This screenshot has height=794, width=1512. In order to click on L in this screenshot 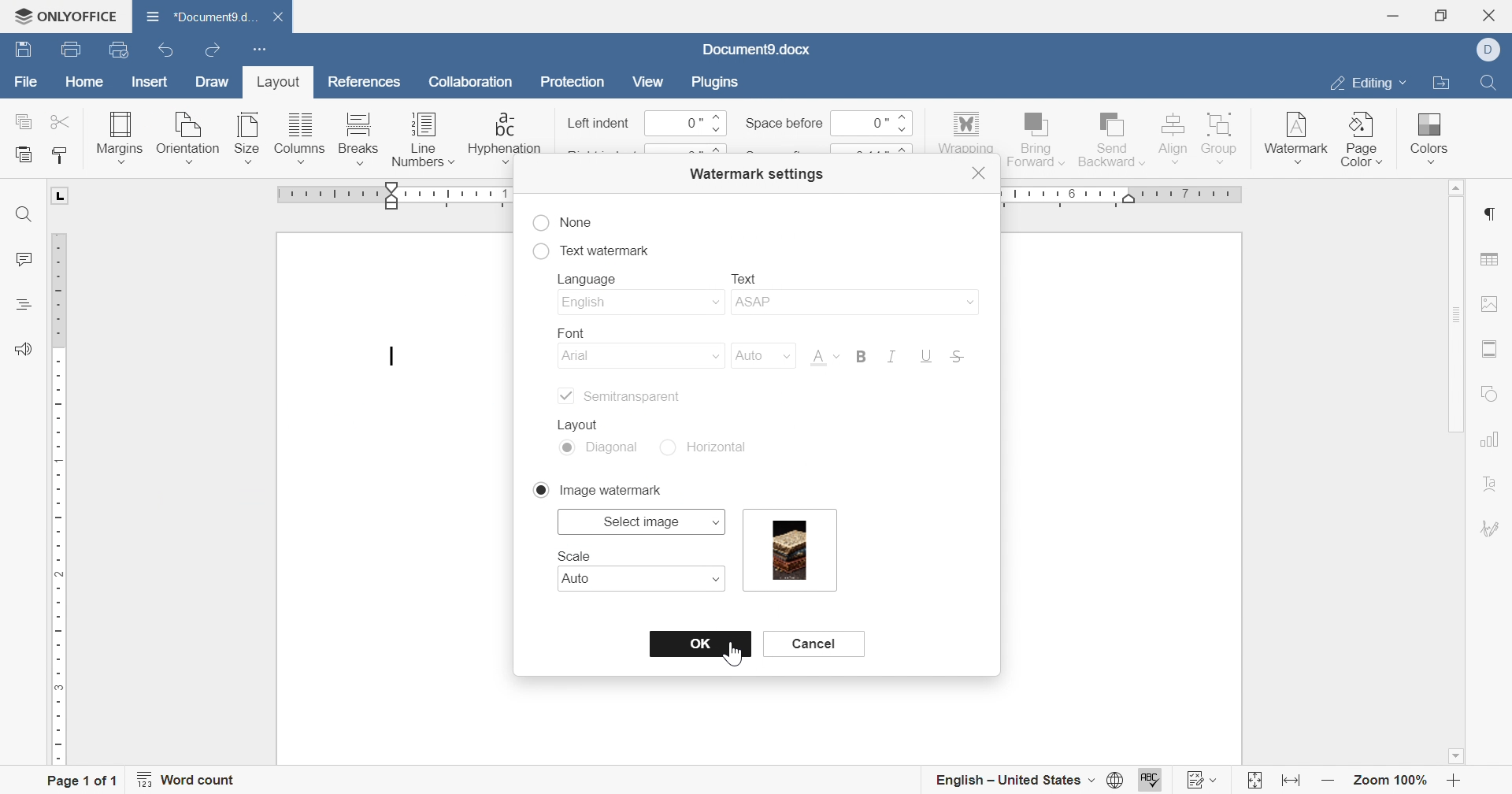, I will do `click(62, 195)`.